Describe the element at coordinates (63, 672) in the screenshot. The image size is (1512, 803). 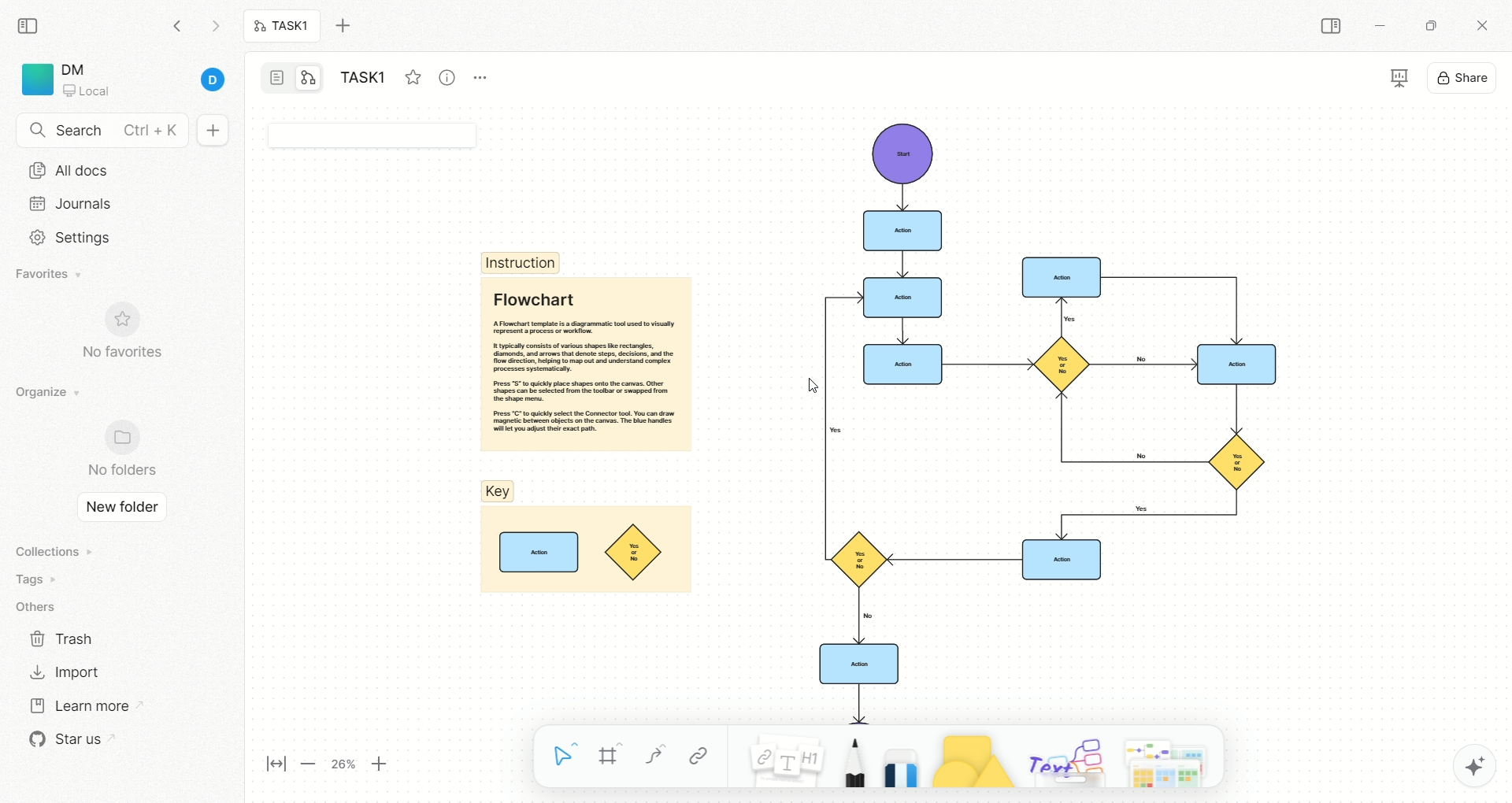
I see `import` at that location.